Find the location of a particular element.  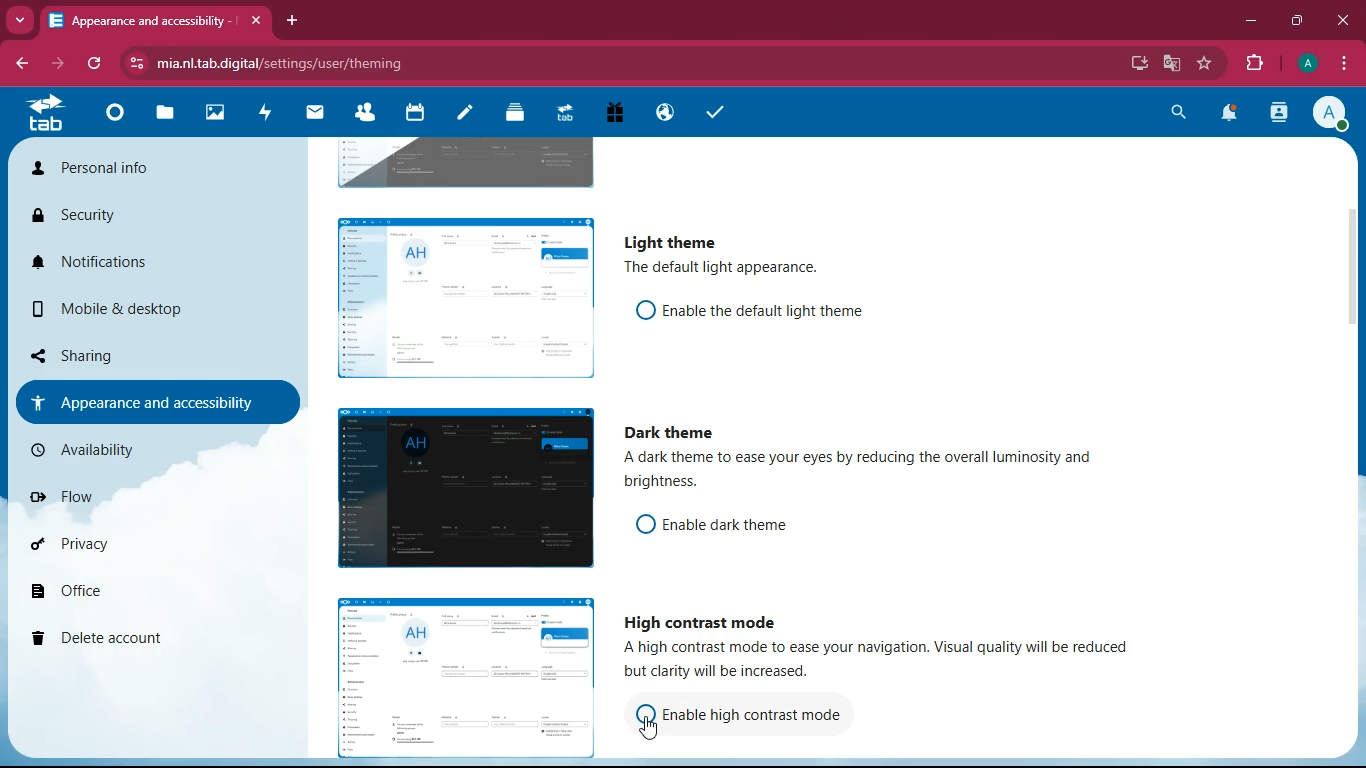

gift is located at coordinates (610, 114).